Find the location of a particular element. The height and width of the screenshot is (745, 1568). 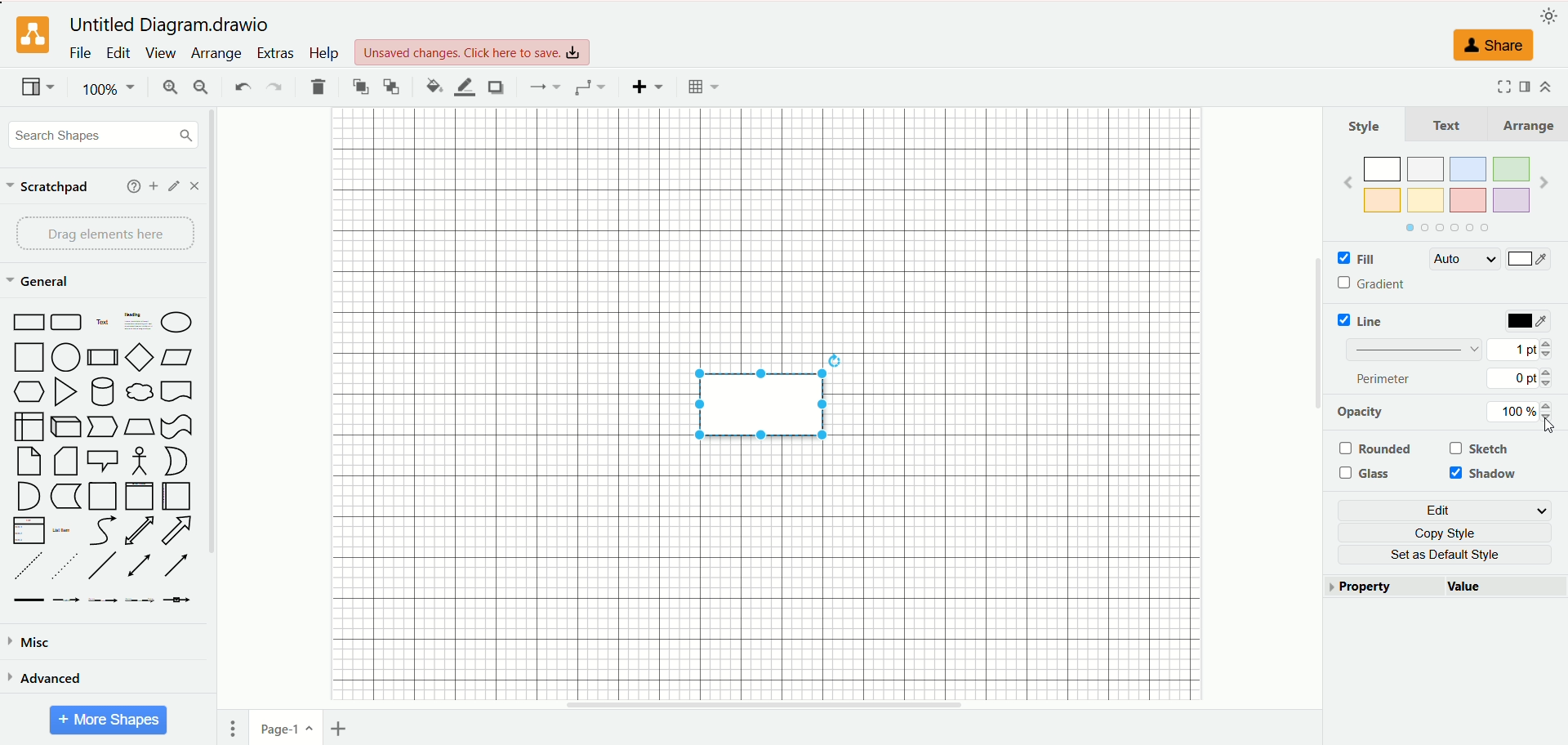

help is located at coordinates (134, 186).